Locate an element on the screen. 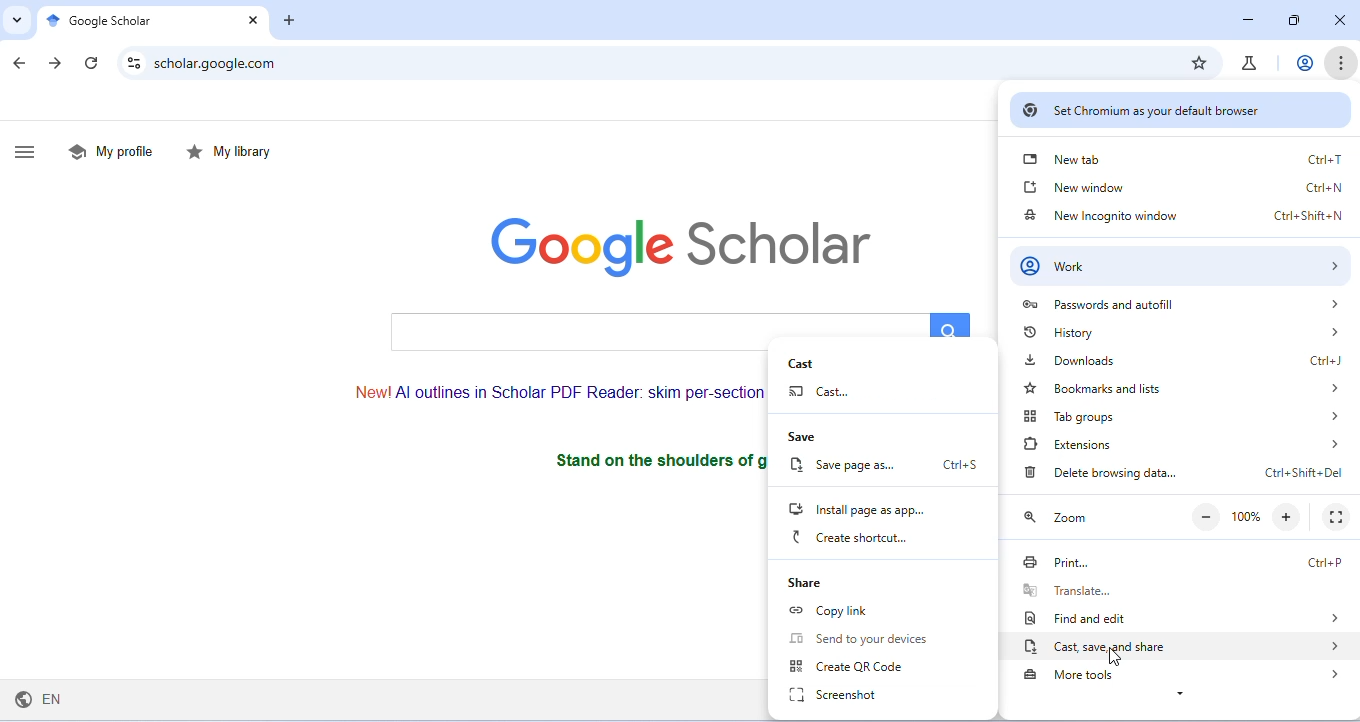 This screenshot has height=722, width=1360. english is located at coordinates (40, 701).